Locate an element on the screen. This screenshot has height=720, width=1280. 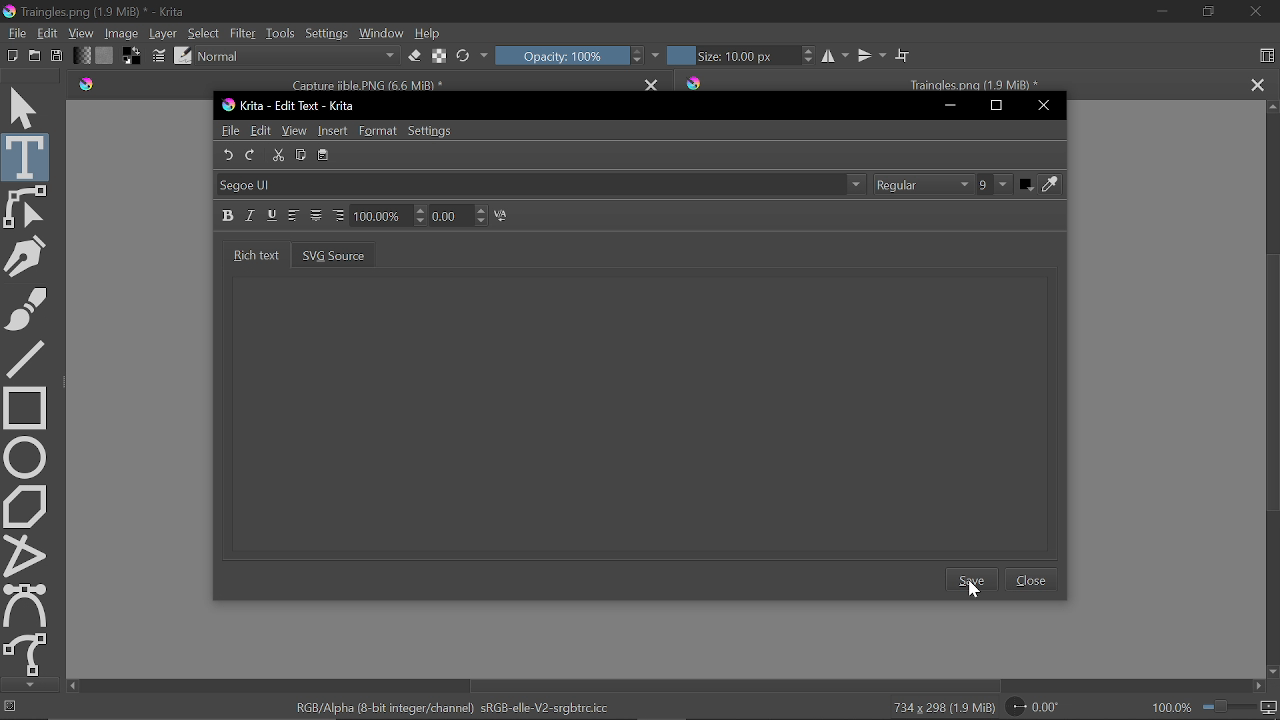
Restore down is located at coordinates (1210, 12).